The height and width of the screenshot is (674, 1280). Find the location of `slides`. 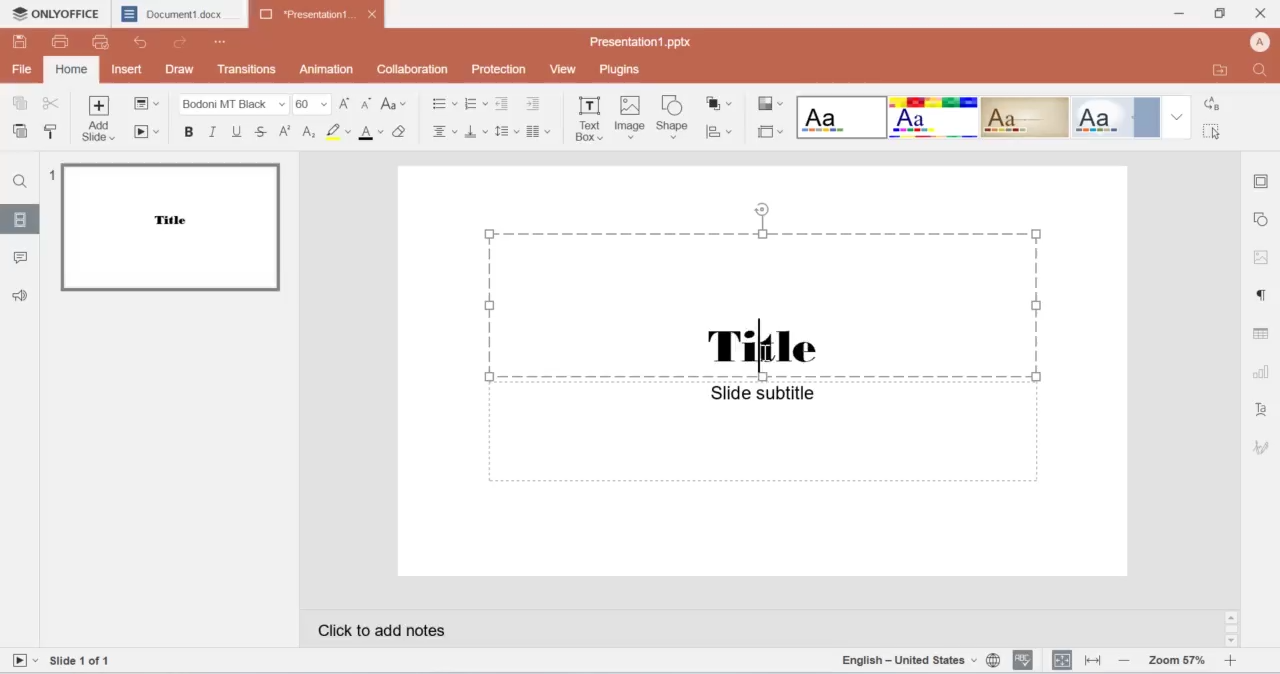

slides is located at coordinates (21, 222).